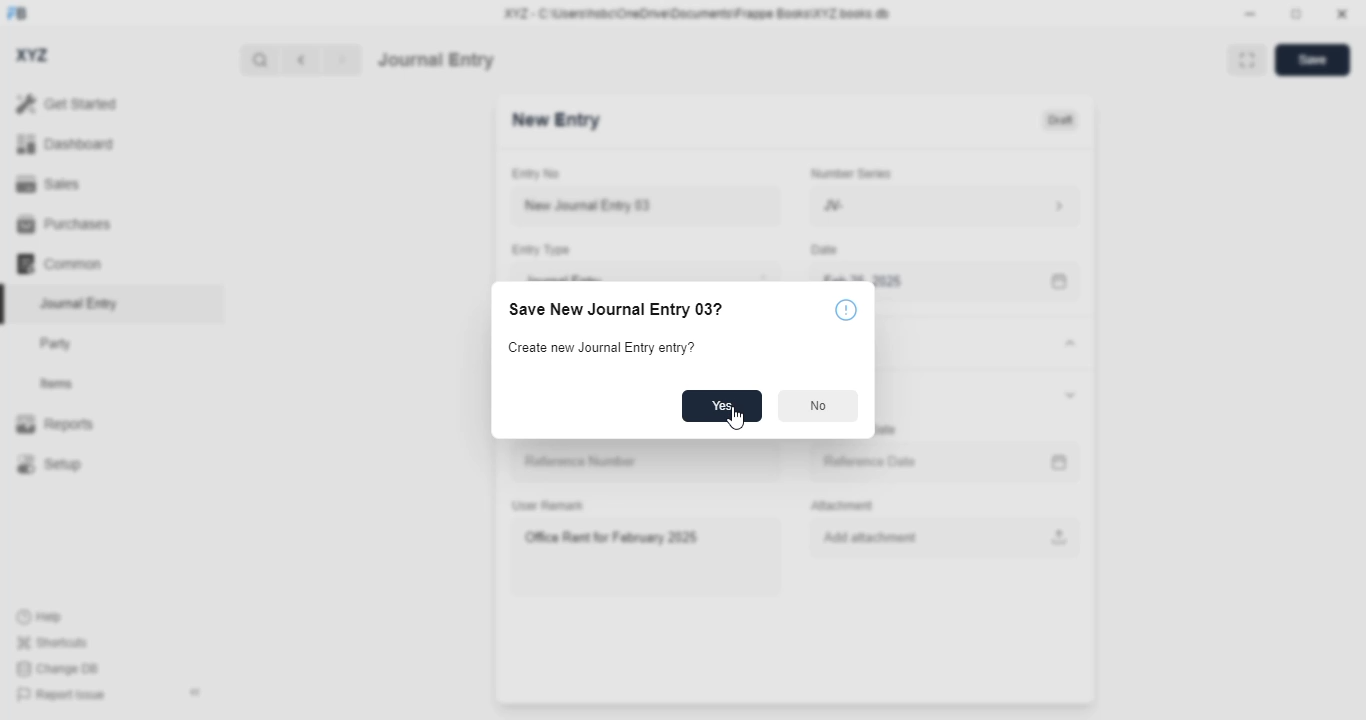 This screenshot has width=1366, height=720. I want to click on setup, so click(48, 463).